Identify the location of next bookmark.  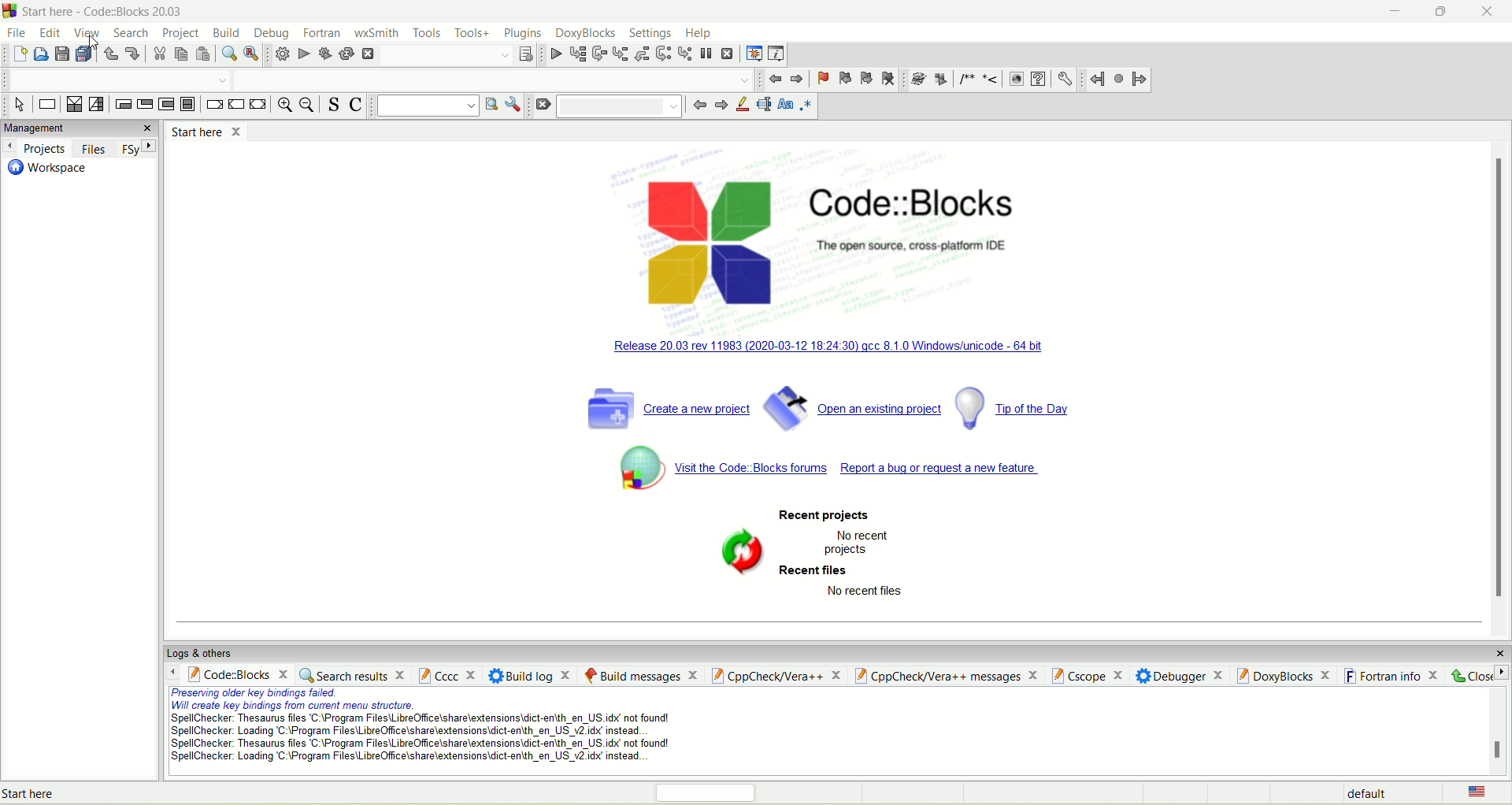
(866, 77).